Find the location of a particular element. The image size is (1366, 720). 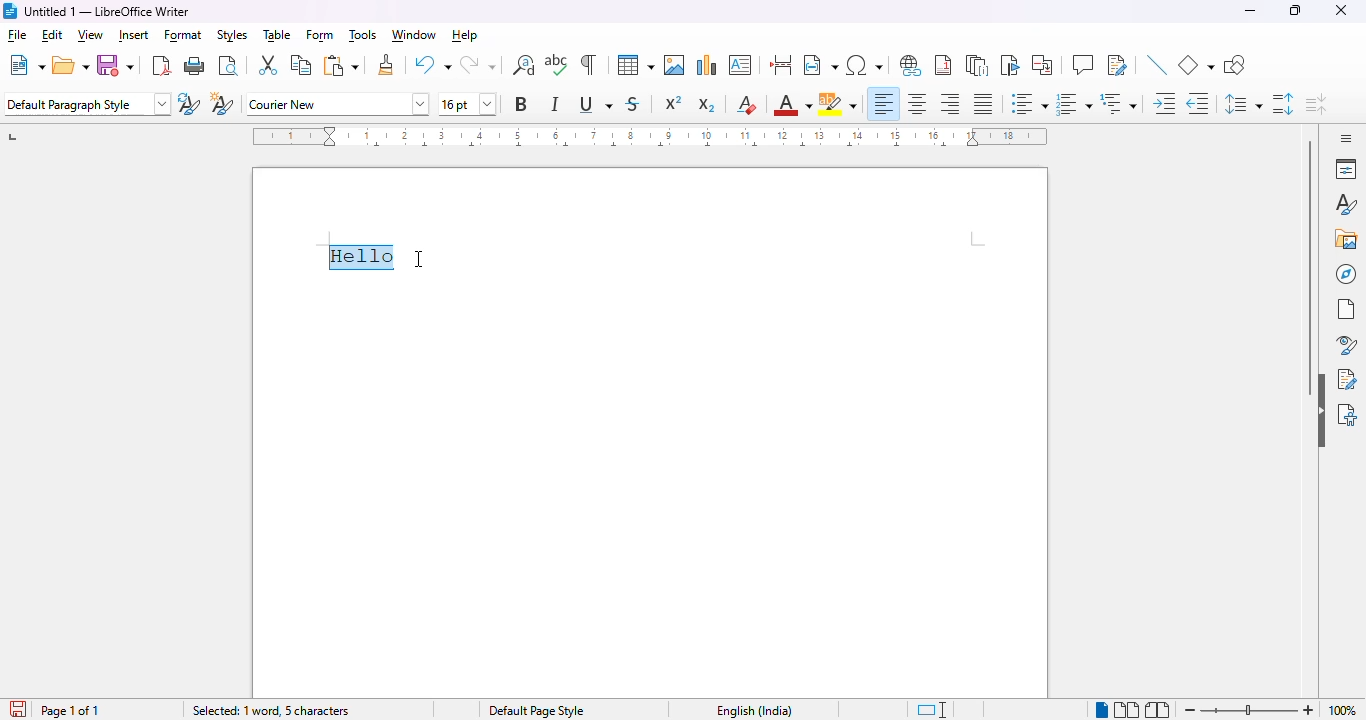

clone formatting is located at coordinates (386, 63).